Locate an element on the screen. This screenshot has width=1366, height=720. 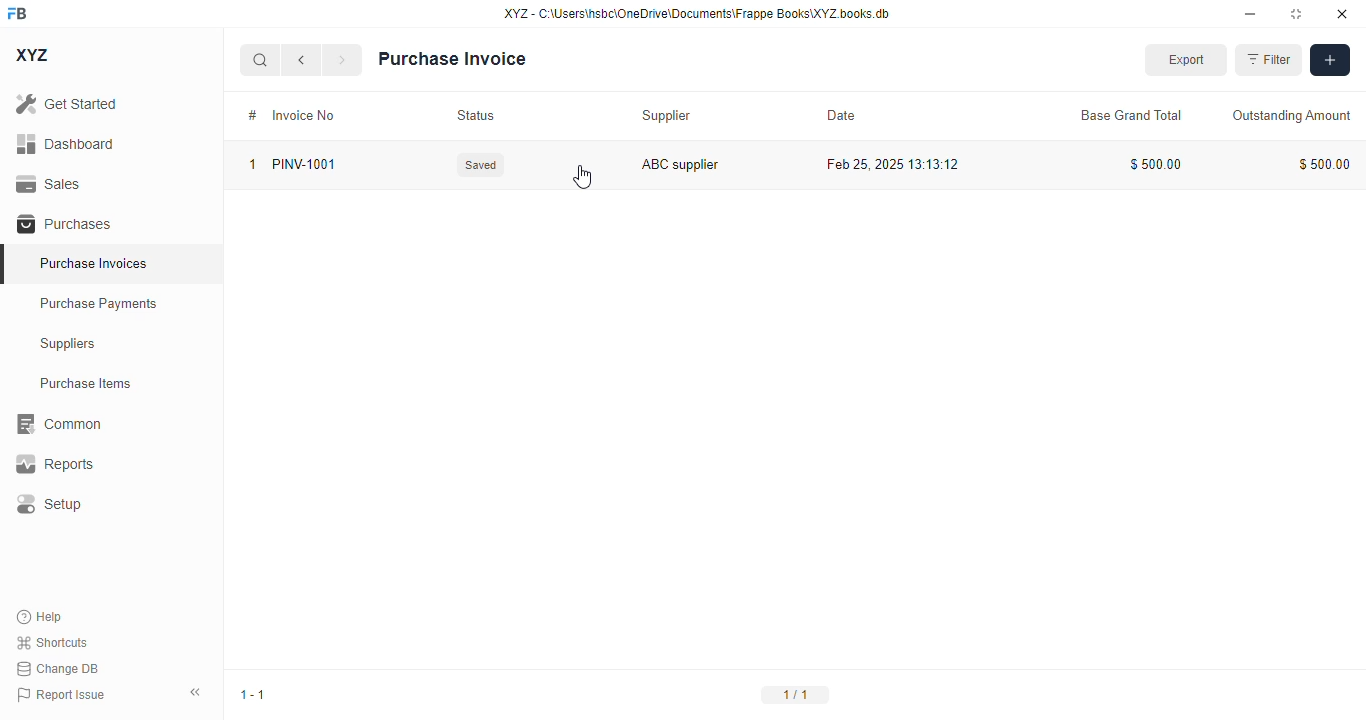
minimize is located at coordinates (1250, 13).